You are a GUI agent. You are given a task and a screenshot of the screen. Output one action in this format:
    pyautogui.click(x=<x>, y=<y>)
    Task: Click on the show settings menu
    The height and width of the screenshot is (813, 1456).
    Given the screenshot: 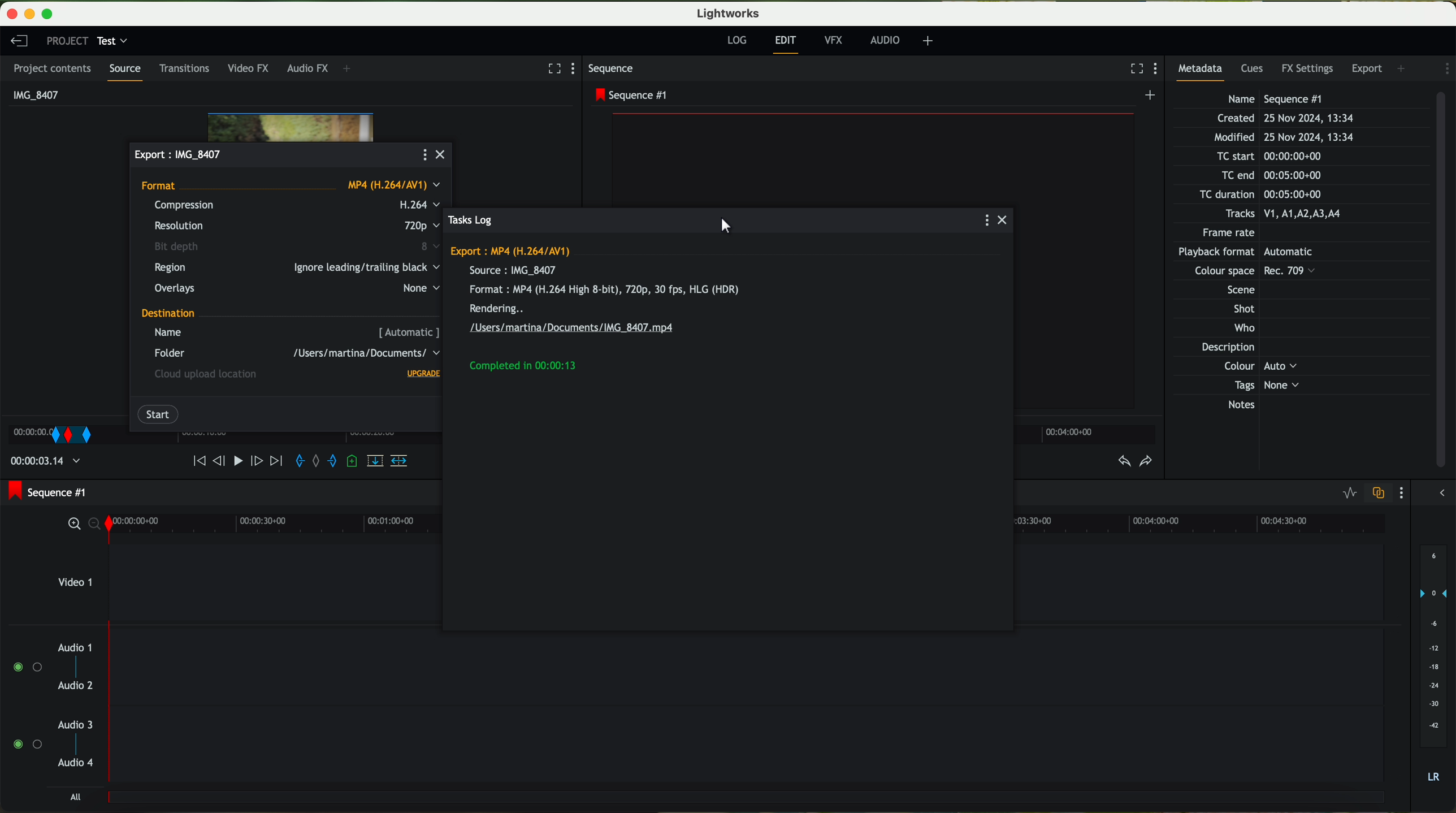 What is the action you would take?
    pyautogui.click(x=1404, y=493)
    